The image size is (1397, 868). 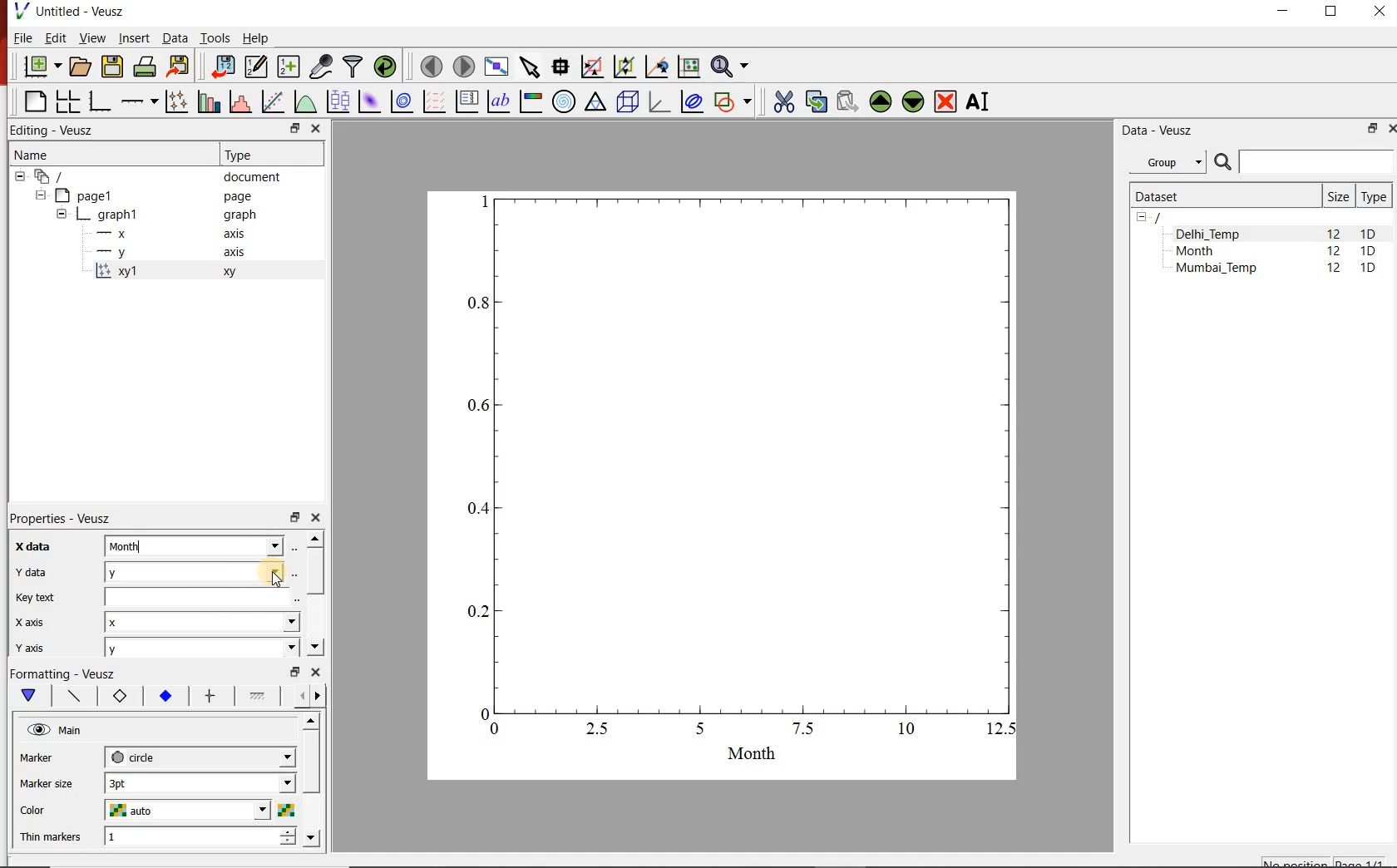 What do you see at coordinates (137, 101) in the screenshot?
I see `Add an axis to the plot` at bounding box center [137, 101].